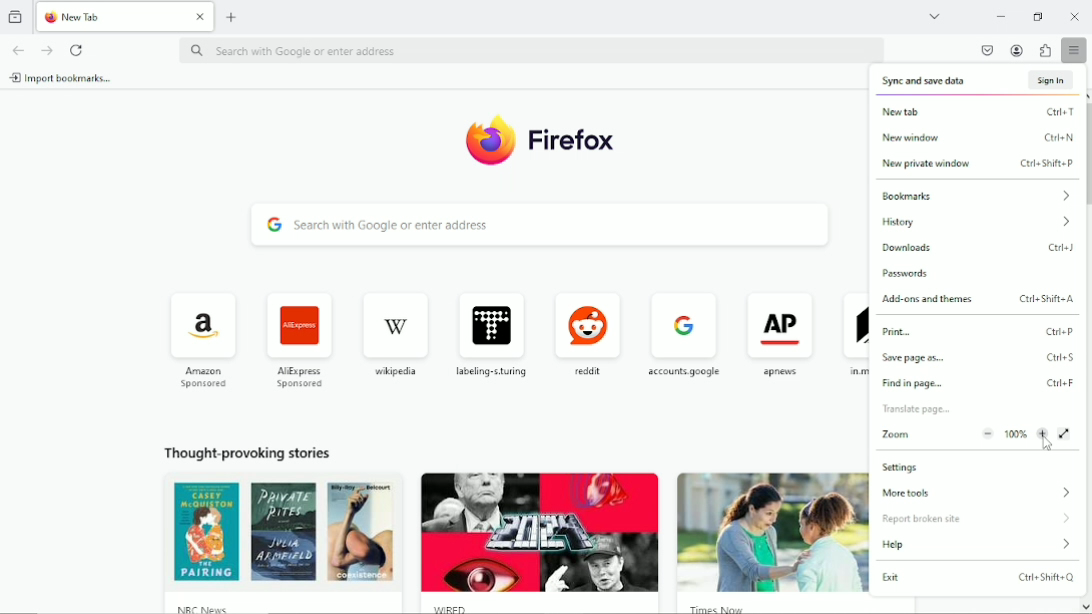 Image resolution: width=1092 pixels, height=614 pixels. What do you see at coordinates (538, 529) in the screenshot?
I see `image` at bounding box center [538, 529].